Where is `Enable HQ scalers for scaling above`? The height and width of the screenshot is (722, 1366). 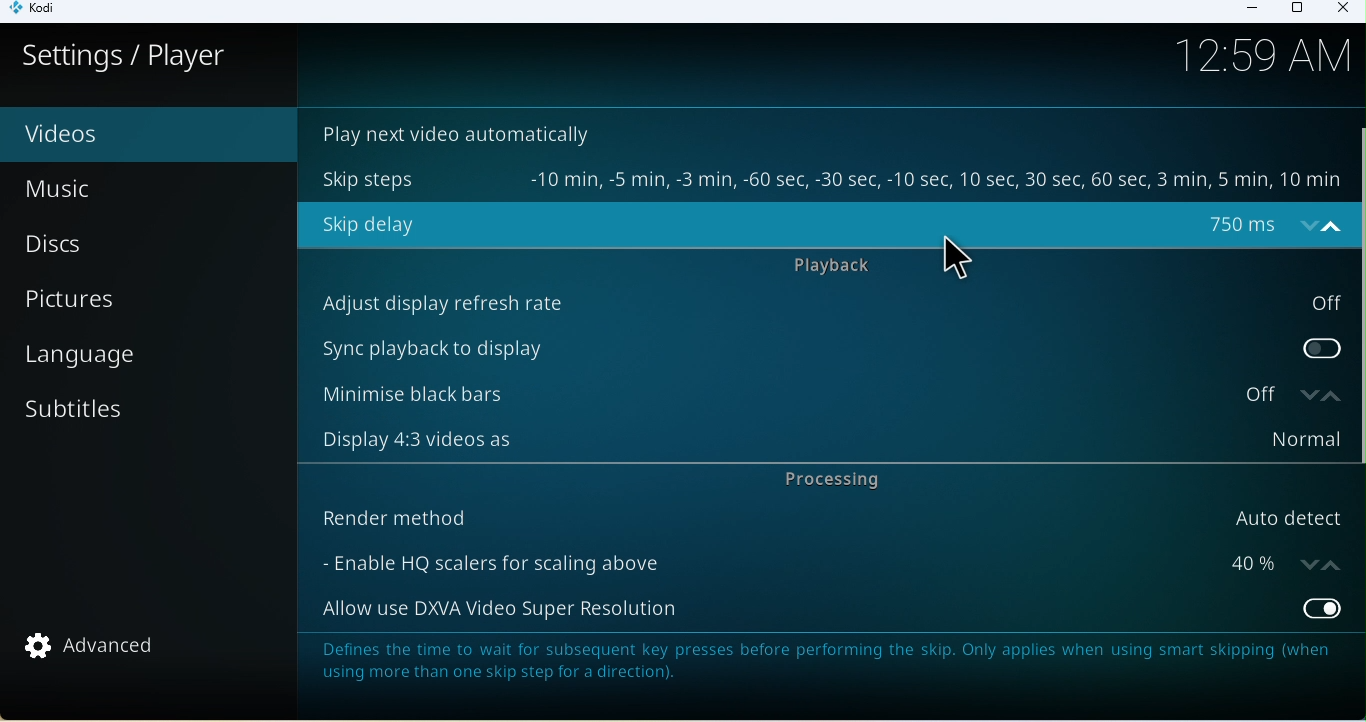 Enable HQ scalers for scaling above is located at coordinates (802, 561).